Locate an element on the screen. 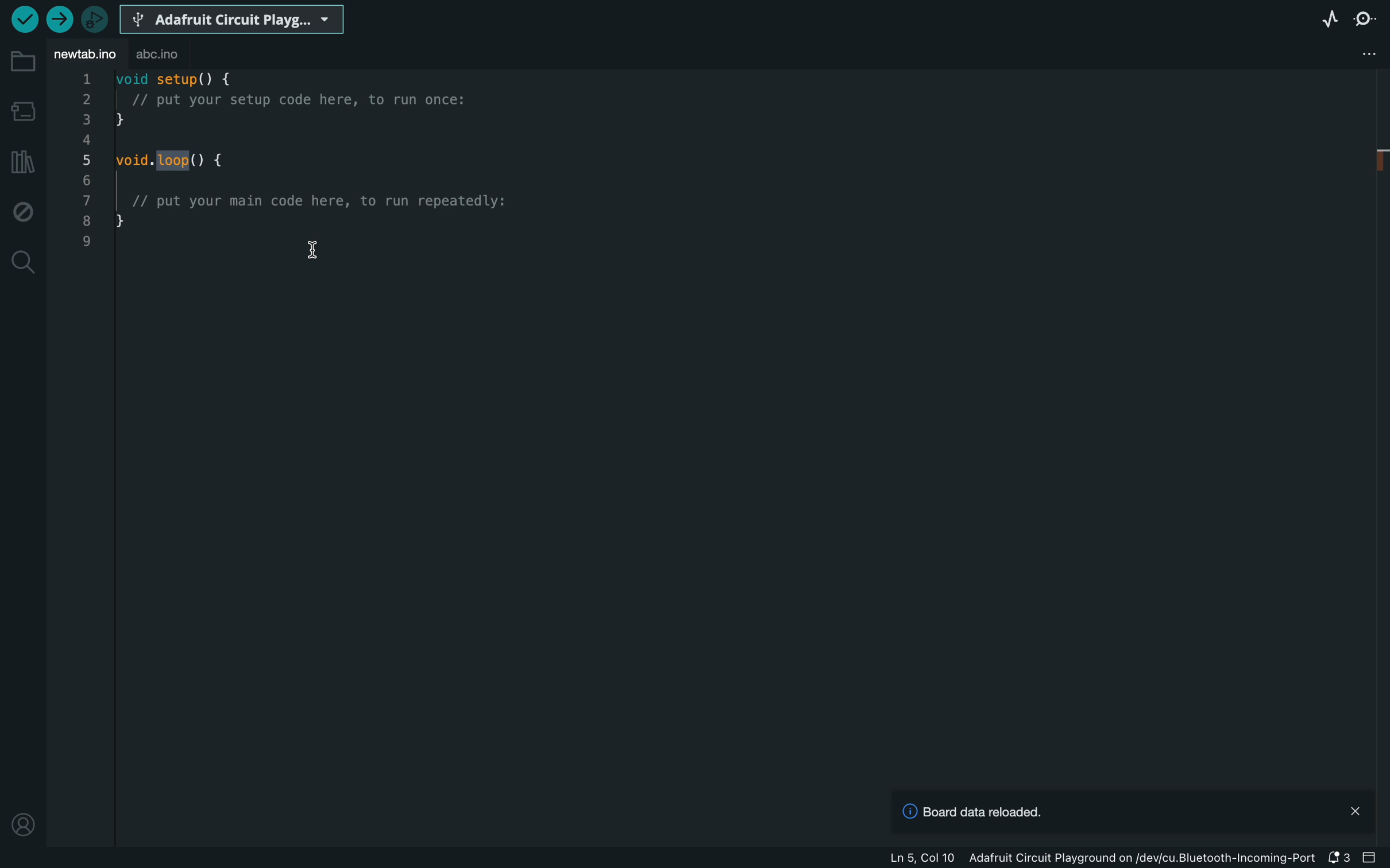  search is located at coordinates (22, 264).